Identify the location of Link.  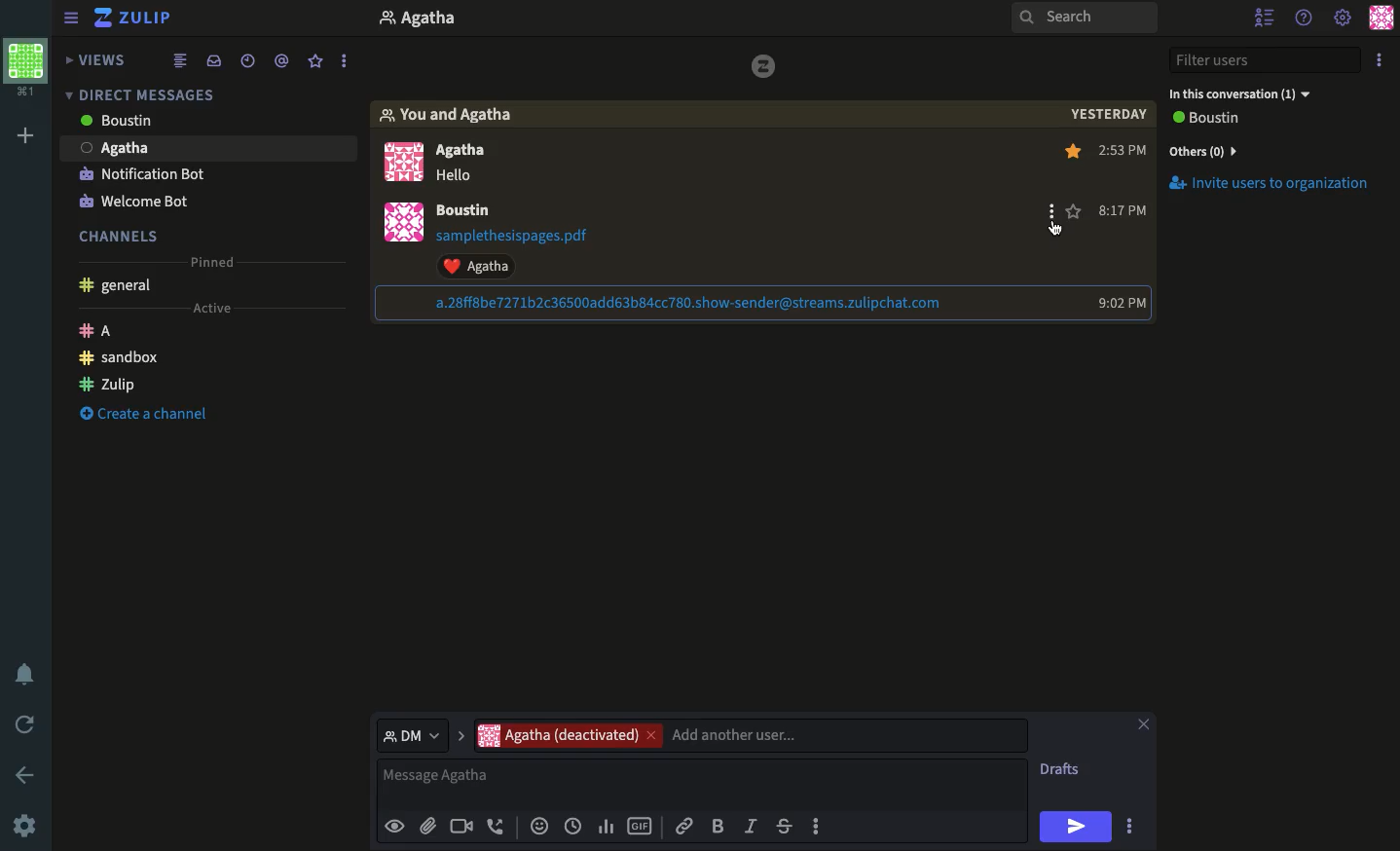
(684, 823).